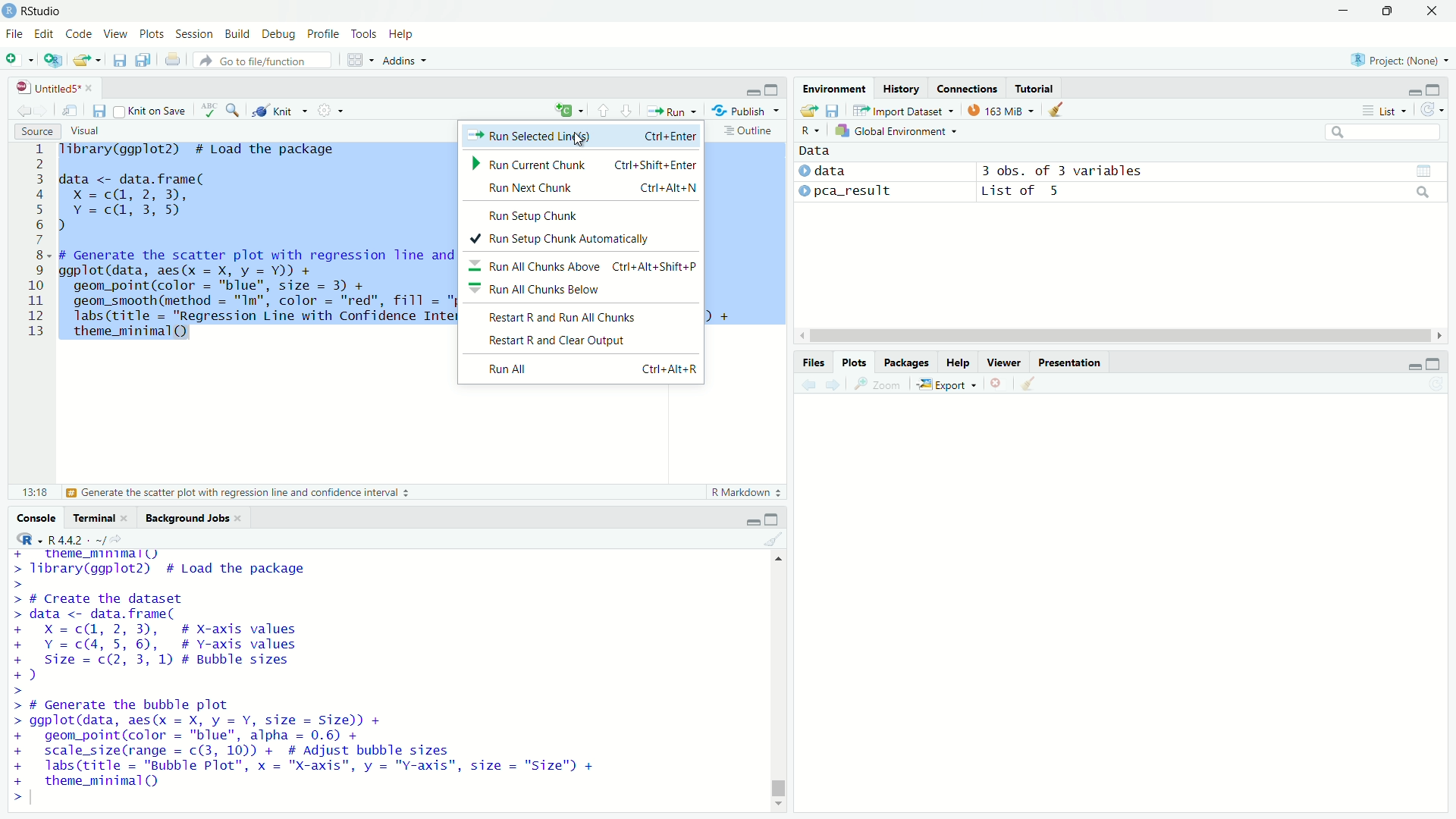 This screenshot has height=819, width=1456. I want to click on Console, so click(35, 516).